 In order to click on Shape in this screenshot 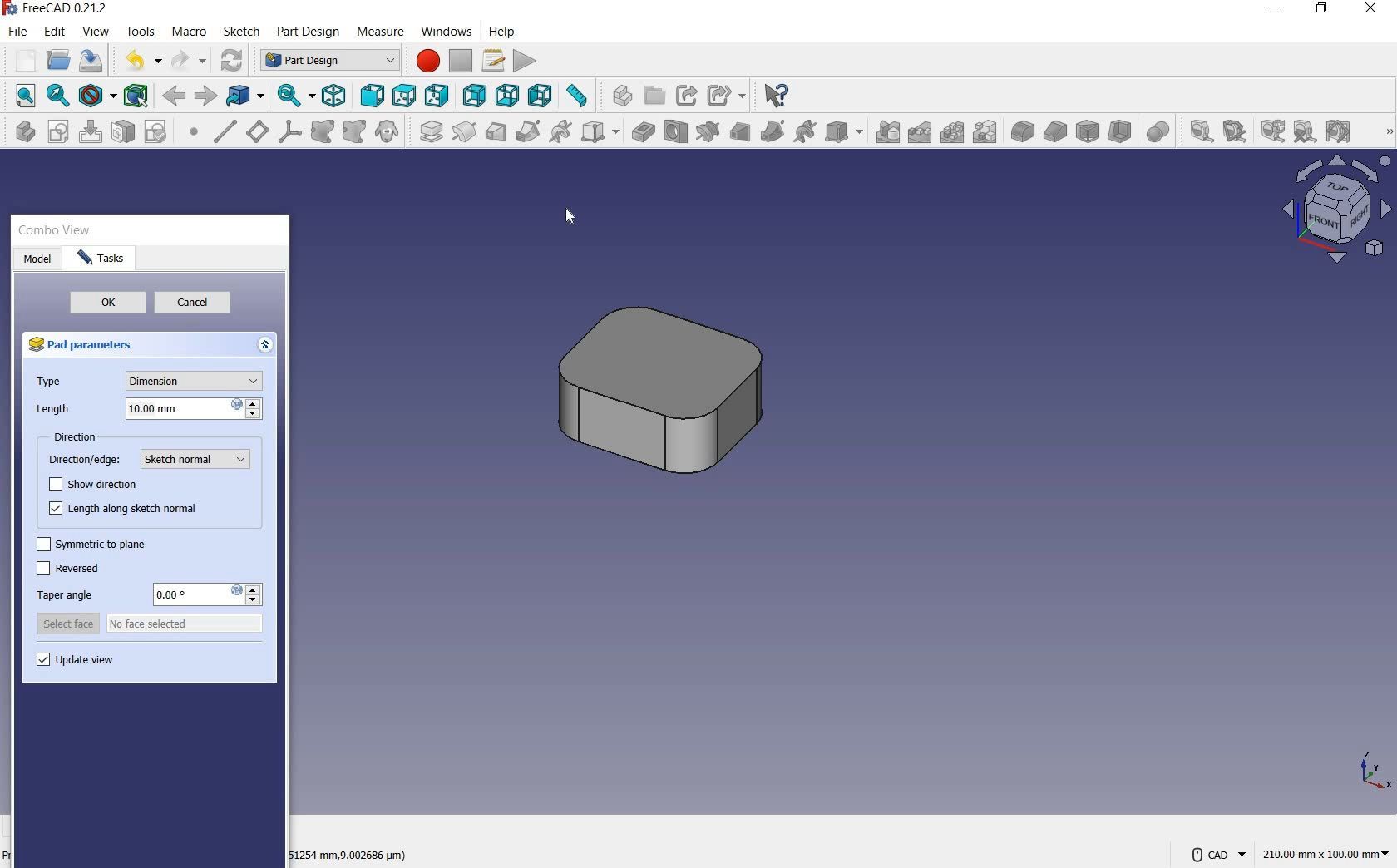, I will do `click(1334, 215)`.